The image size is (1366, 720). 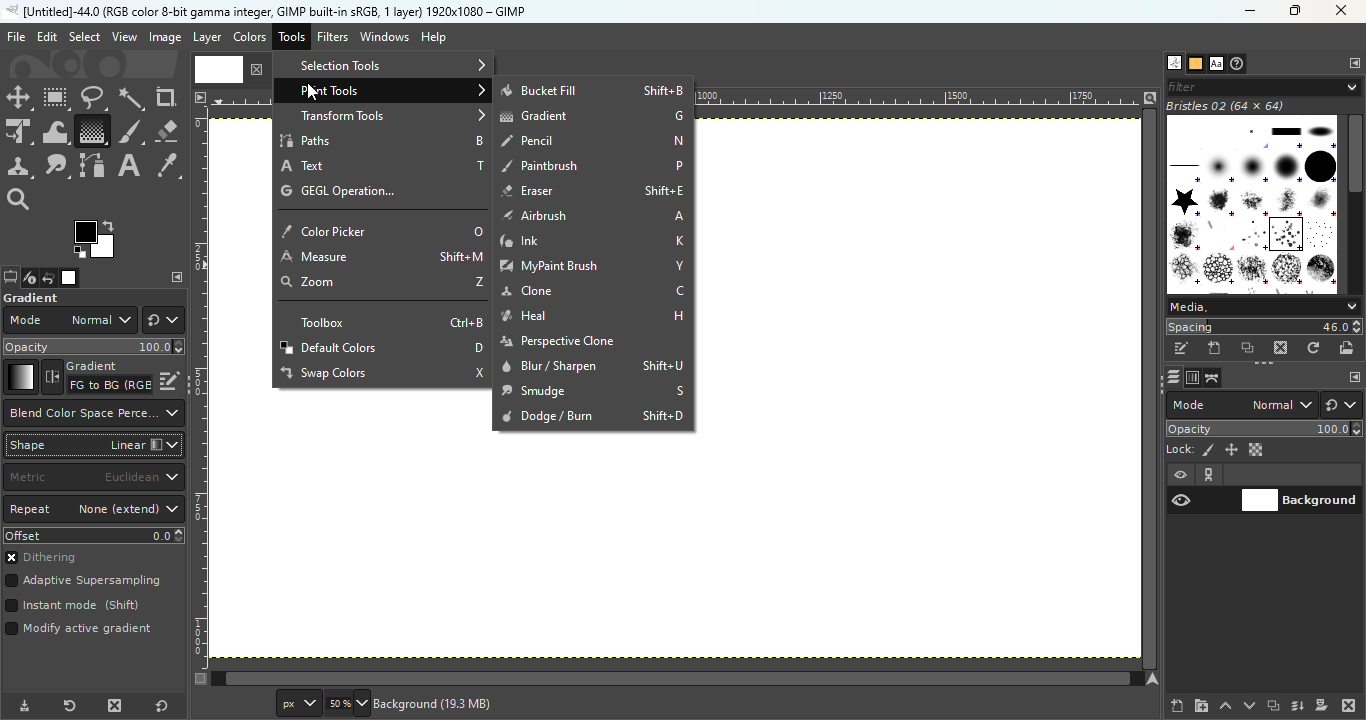 What do you see at coordinates (1258, 450) in the screenshot?
I see `Lock alpha channel` at bounding box center [1258, 450].